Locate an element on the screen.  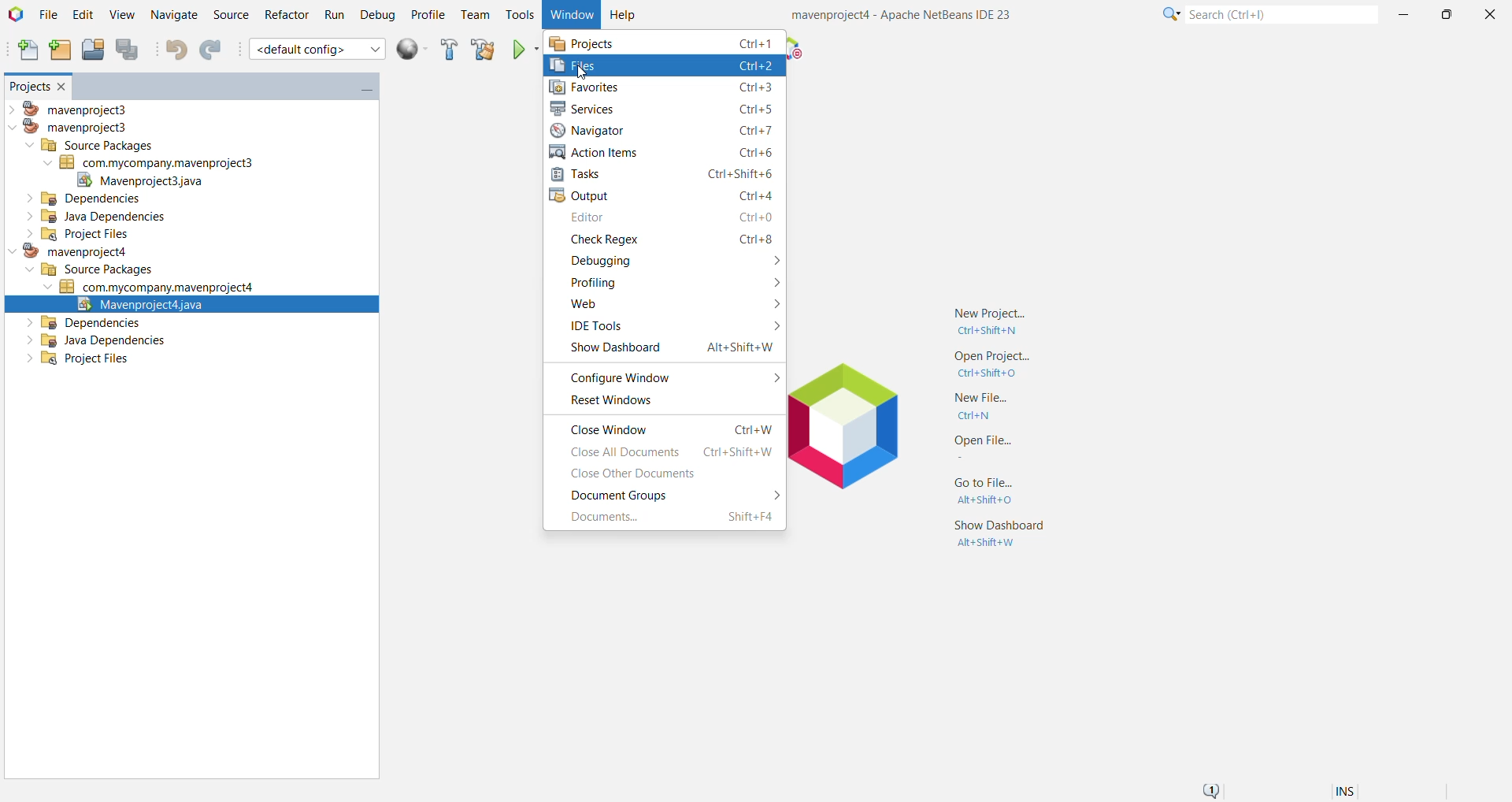
Configure Window is located at coordinates (671, 377).